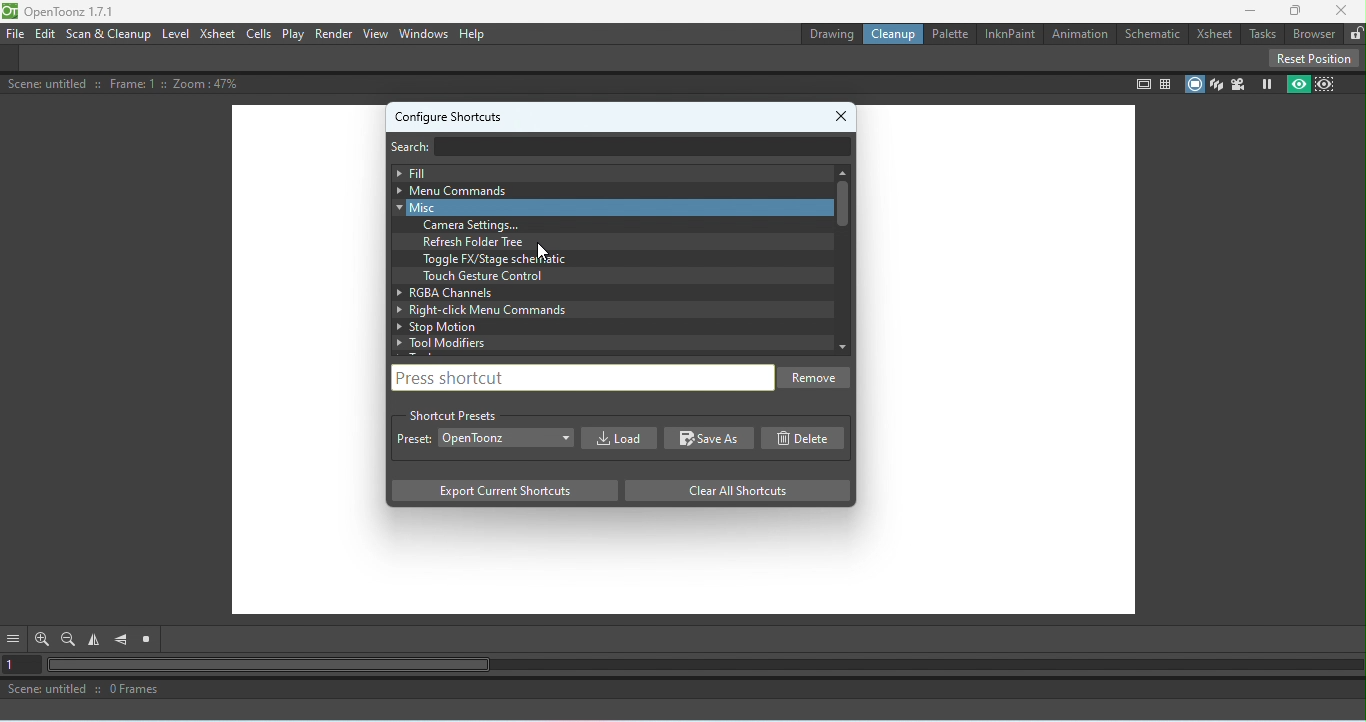 This screenshot has width=1366, height=722. I want to click on Search, so click(419, 145).